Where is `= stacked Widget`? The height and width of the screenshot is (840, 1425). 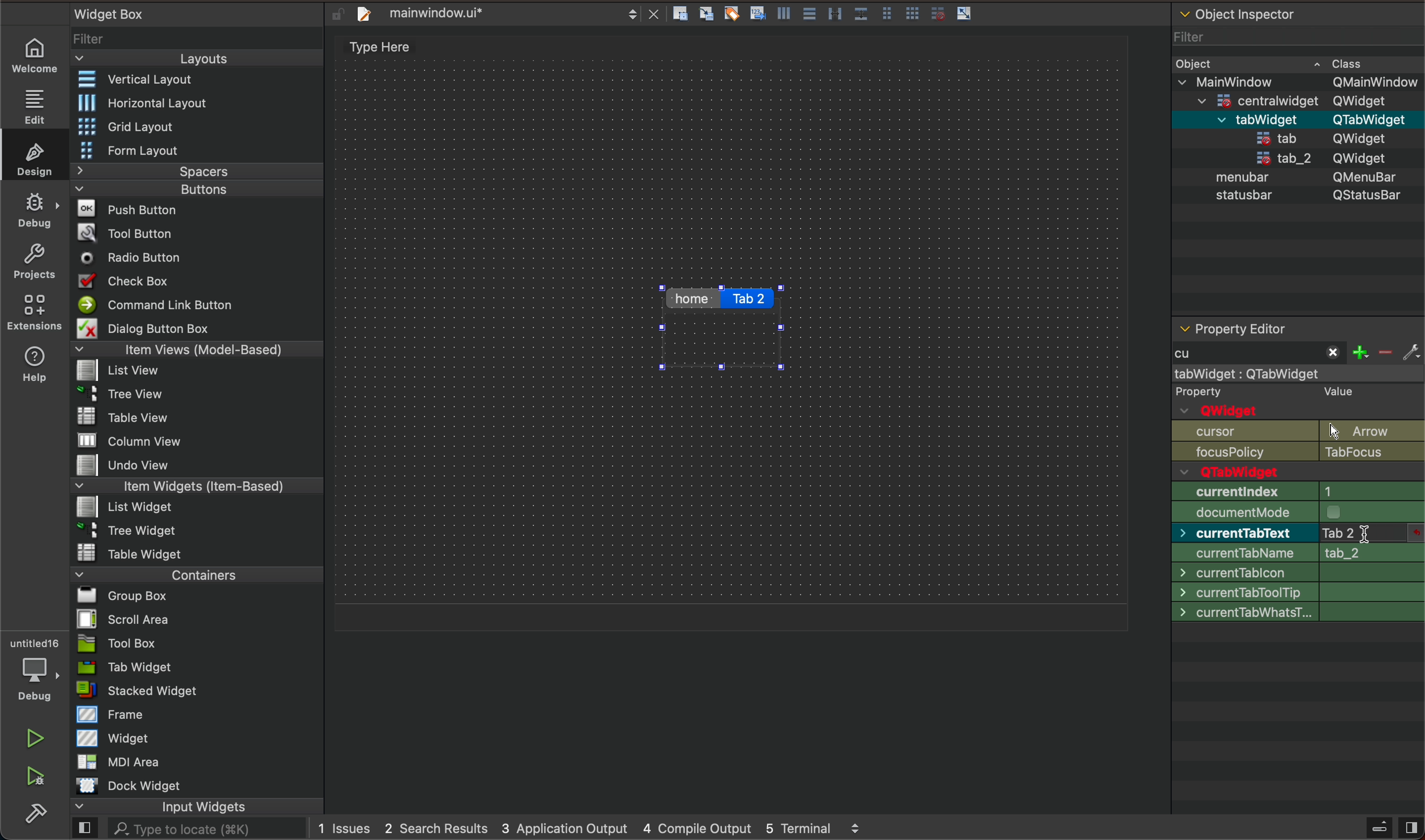 = stacked Widget is located at coordinates (144, 691).